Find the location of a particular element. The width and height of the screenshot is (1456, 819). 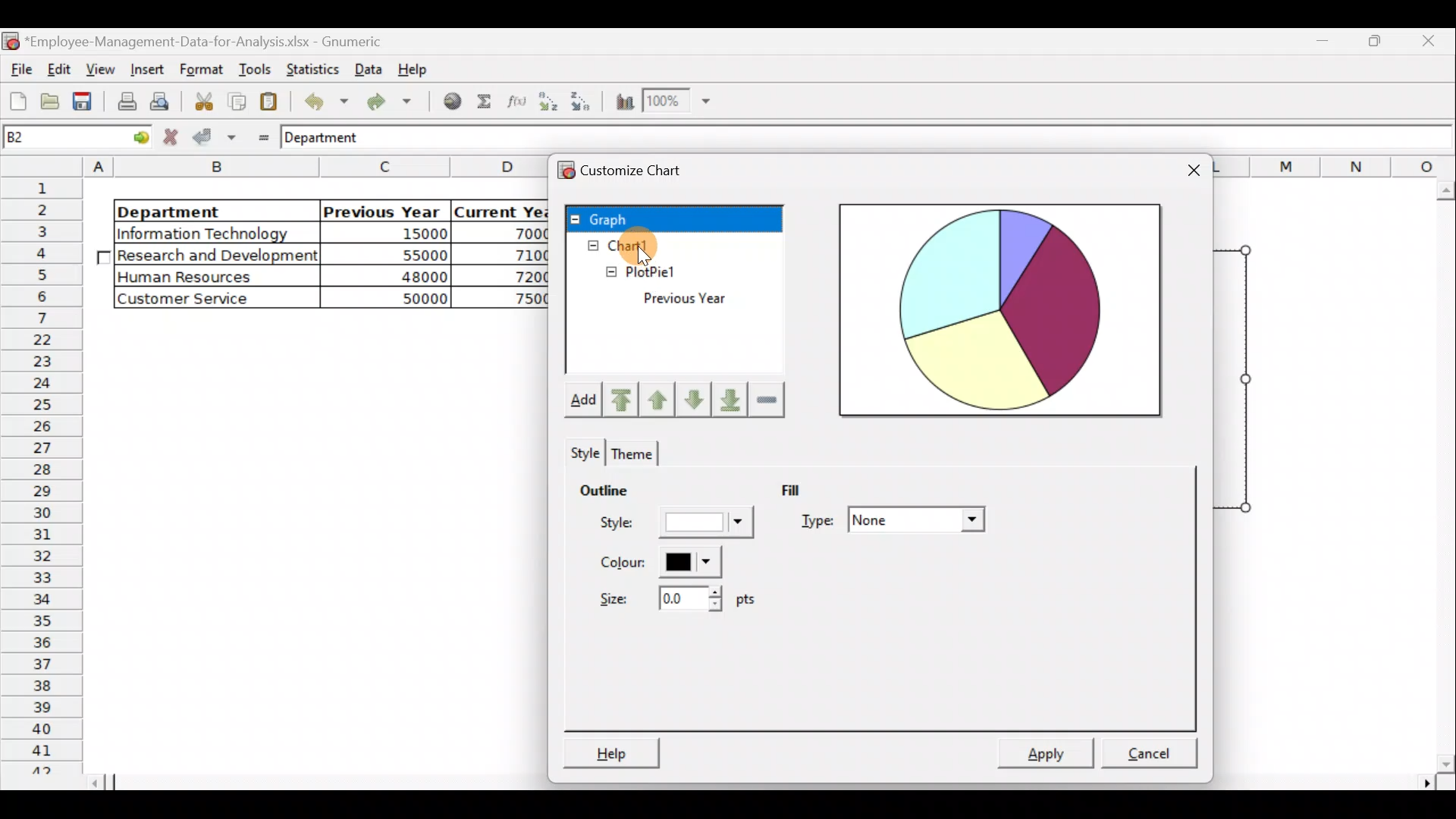

Data is located at coordinates (368, 67).